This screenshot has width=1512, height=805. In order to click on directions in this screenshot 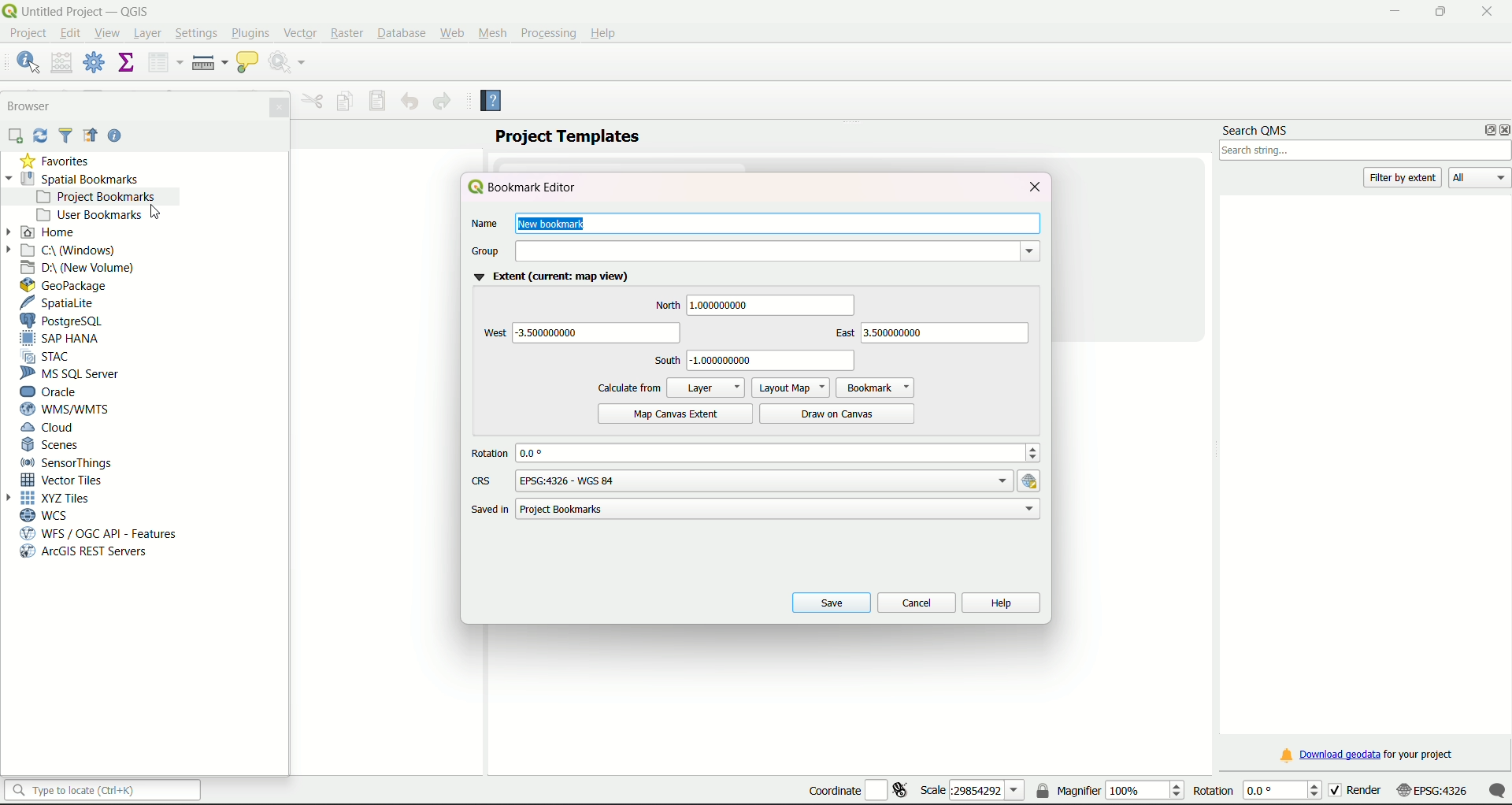, I will do `click(757, 331)`.